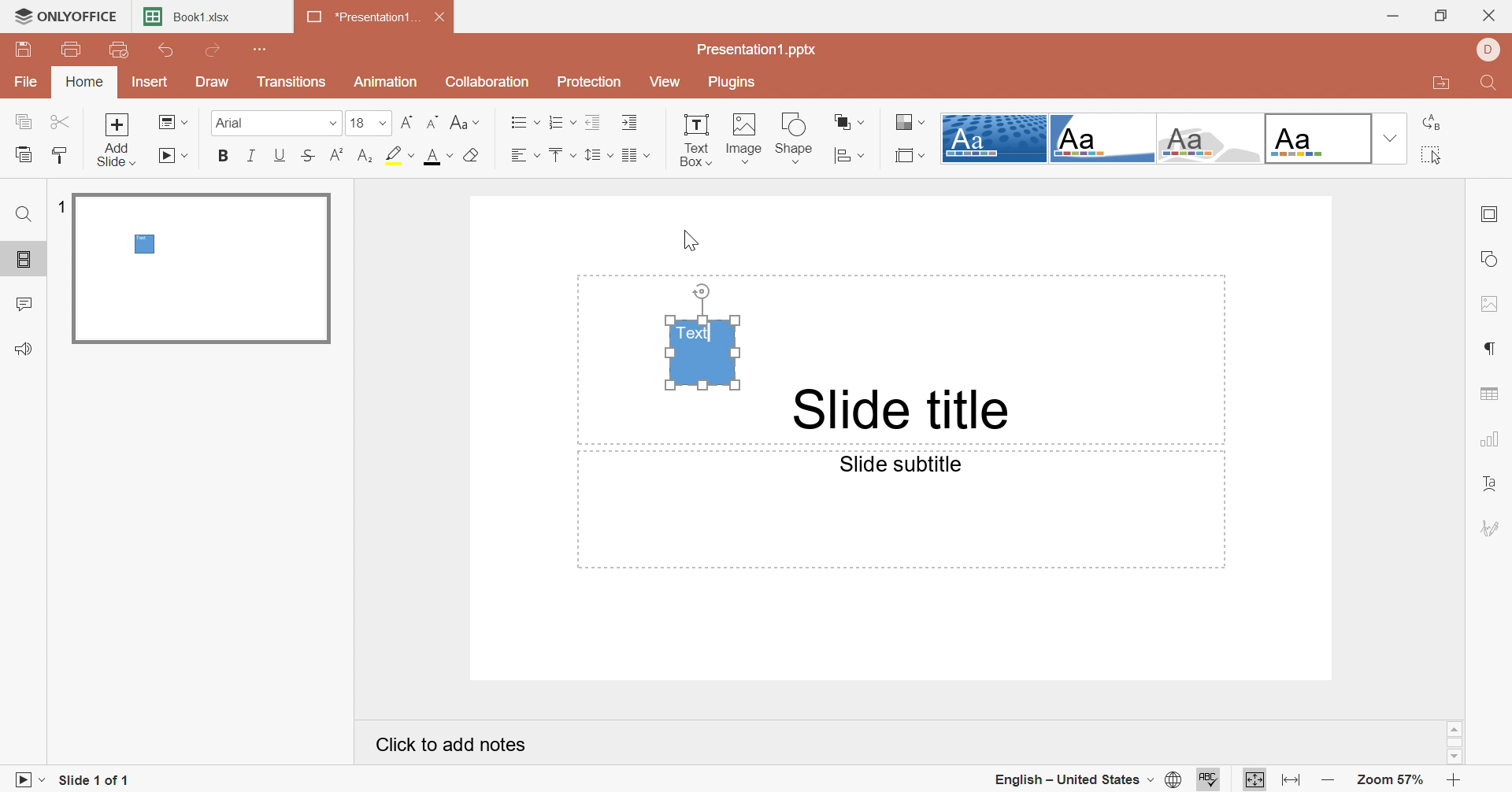 This screenshot has height=792, width=1512. What do you see at coordinates (467, 122) in the screenshot?
I see `Change case` at bounding box center [467, 122].